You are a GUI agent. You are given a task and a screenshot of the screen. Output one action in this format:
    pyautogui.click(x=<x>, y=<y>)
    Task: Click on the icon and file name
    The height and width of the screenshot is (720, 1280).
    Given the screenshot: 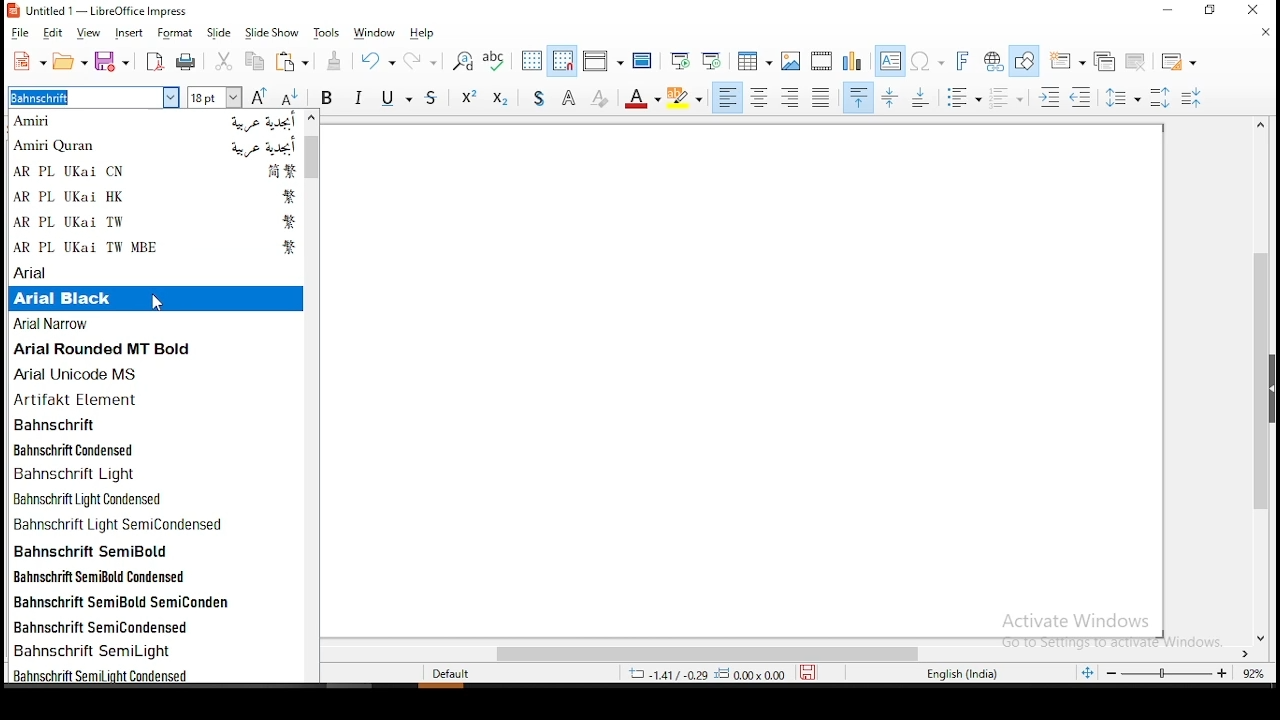 What is the action you would take?
    pyautogui.click(x=103, y=12)
    